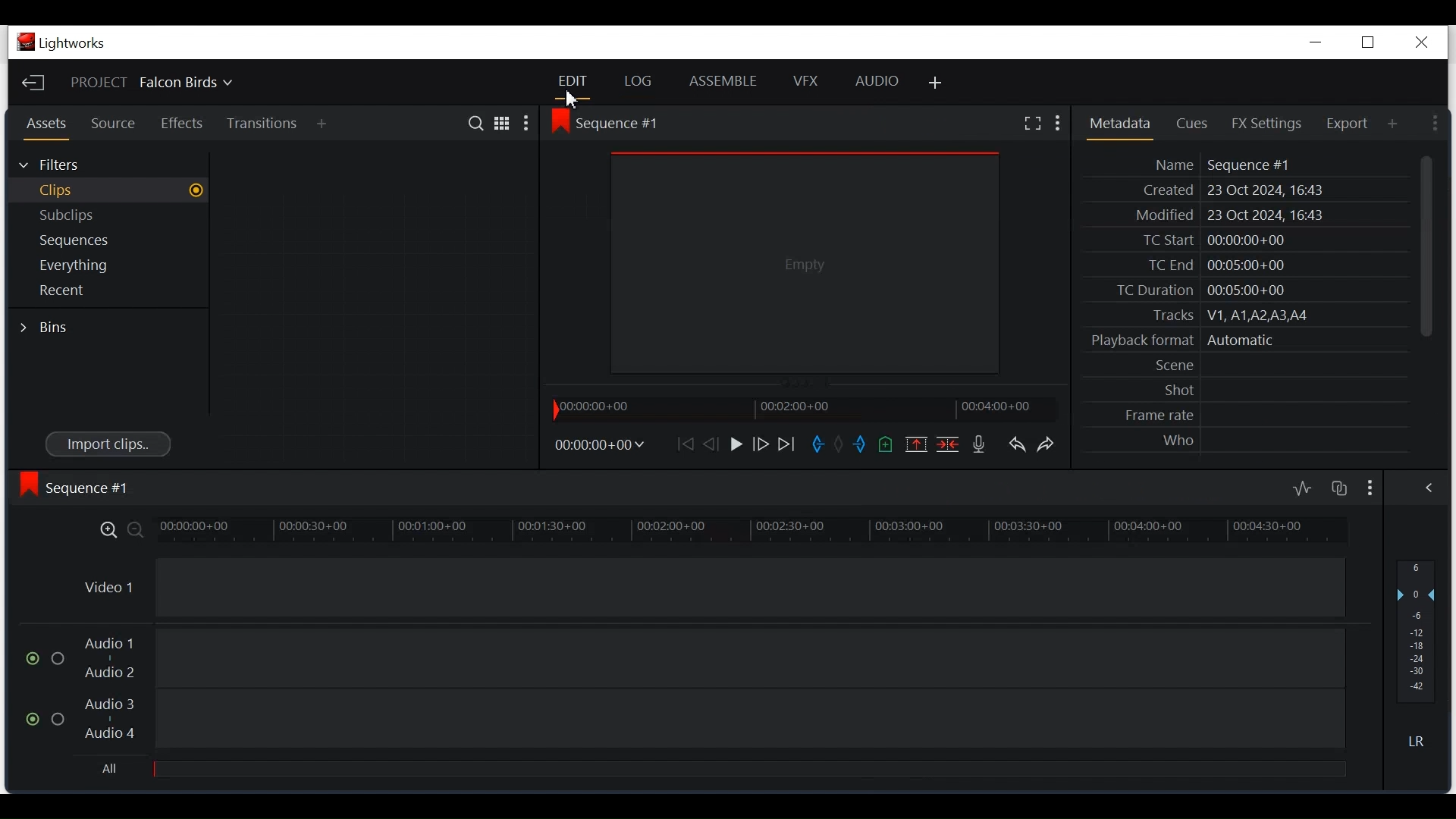 The height and width of the screenshot is (819, 1456). Describe the element at coordinates (1228, 192) in the screenshot. I see `Created 23 Oct 2024, 16:42` at that location.